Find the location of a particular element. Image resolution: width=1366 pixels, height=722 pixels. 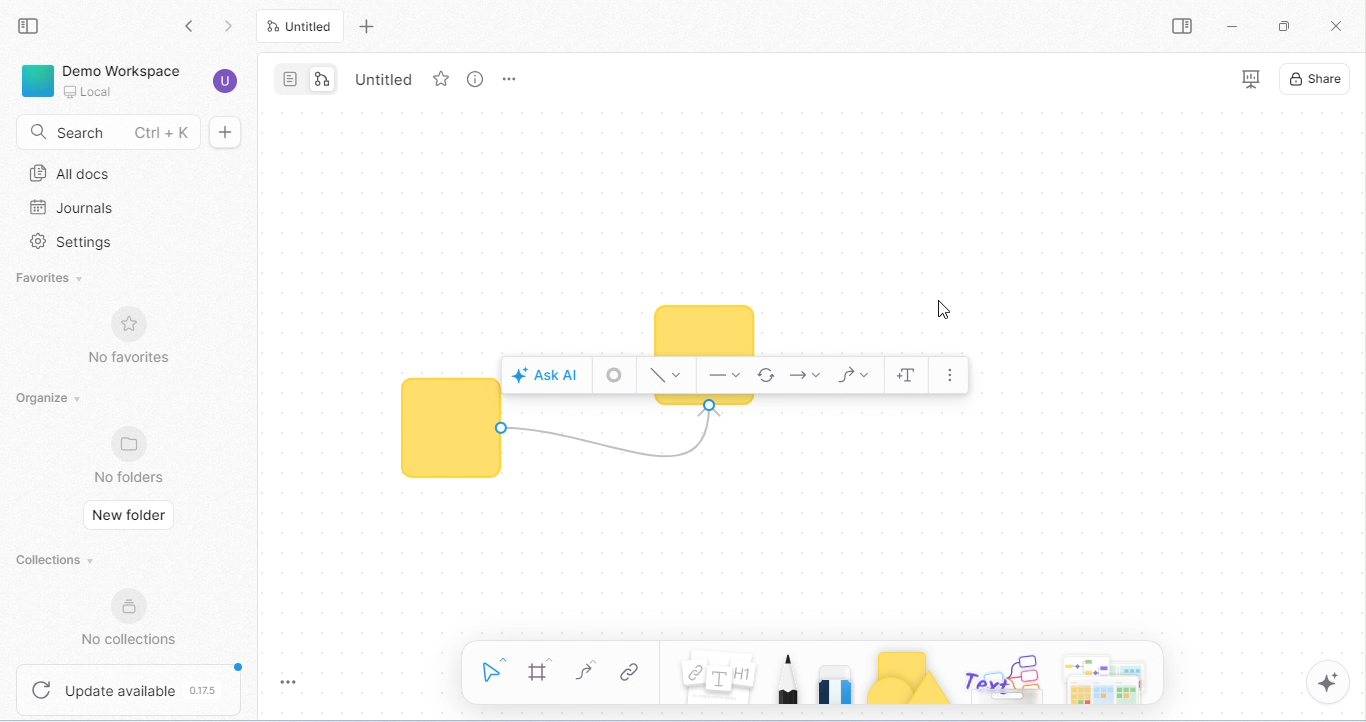

new tab is located at coordinates (370, 26).